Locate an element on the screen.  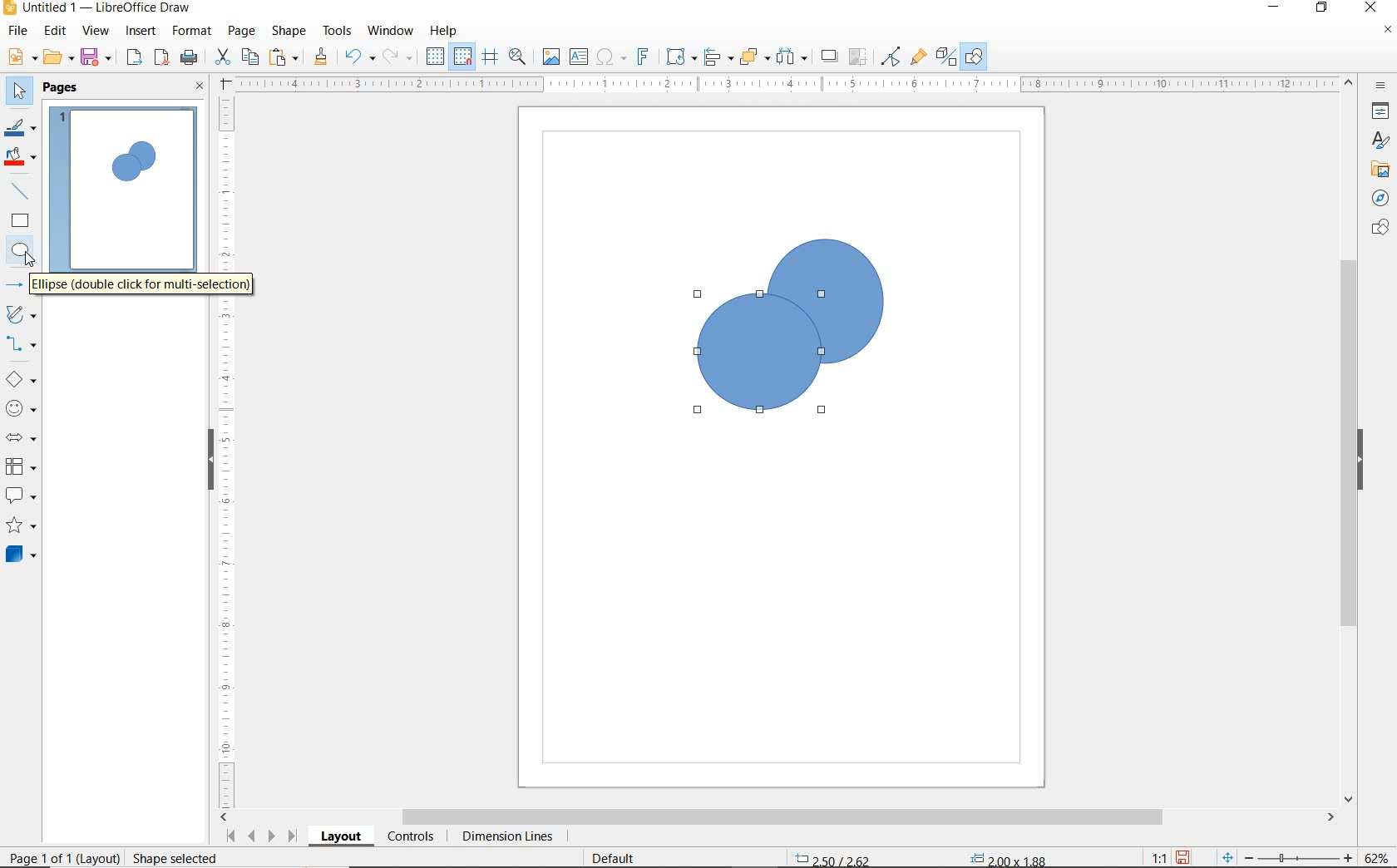
PRINT is located at coordinates (190, 57).